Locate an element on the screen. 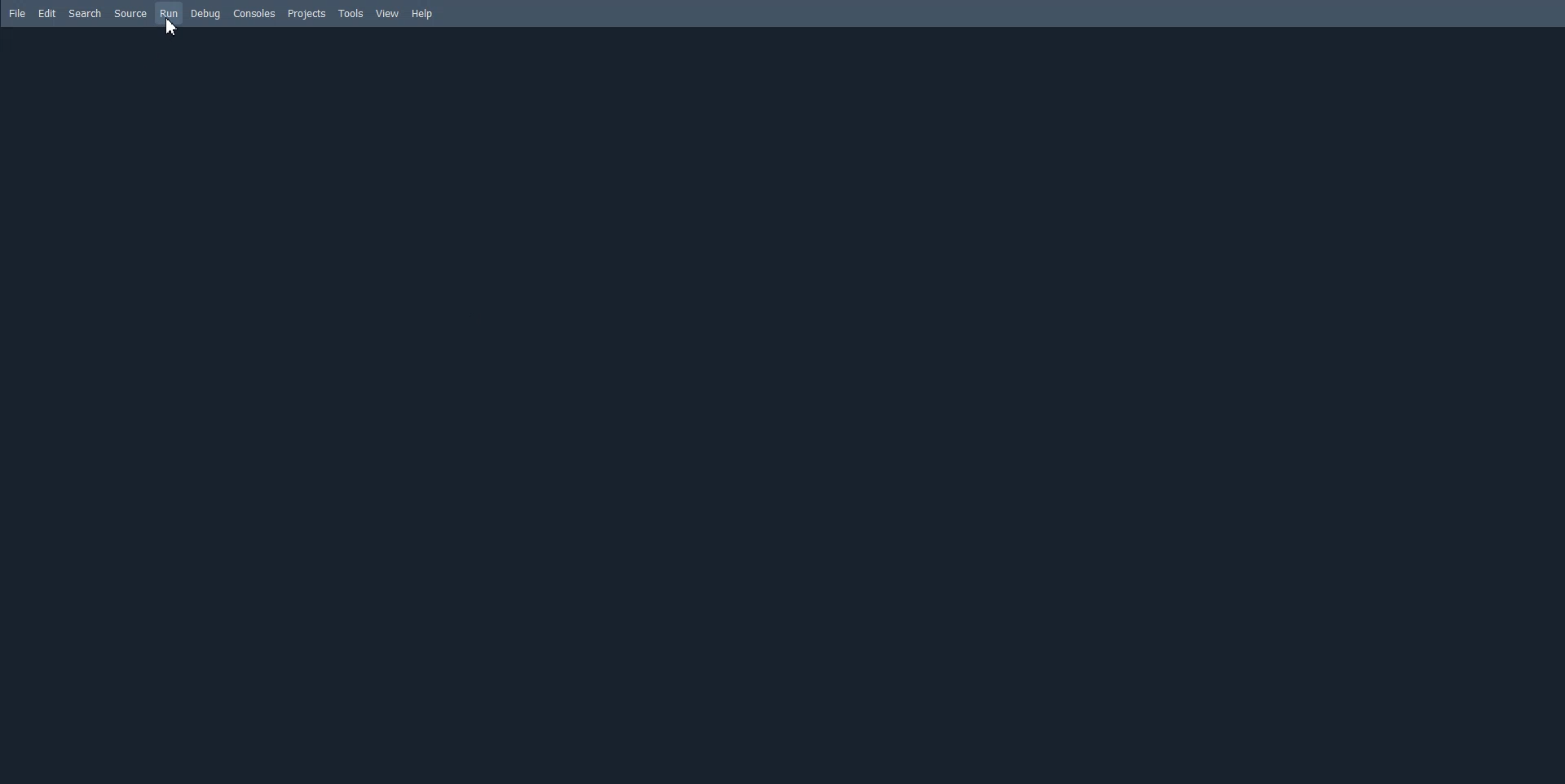  Default Start Pane is located at coordinates (778, 405).